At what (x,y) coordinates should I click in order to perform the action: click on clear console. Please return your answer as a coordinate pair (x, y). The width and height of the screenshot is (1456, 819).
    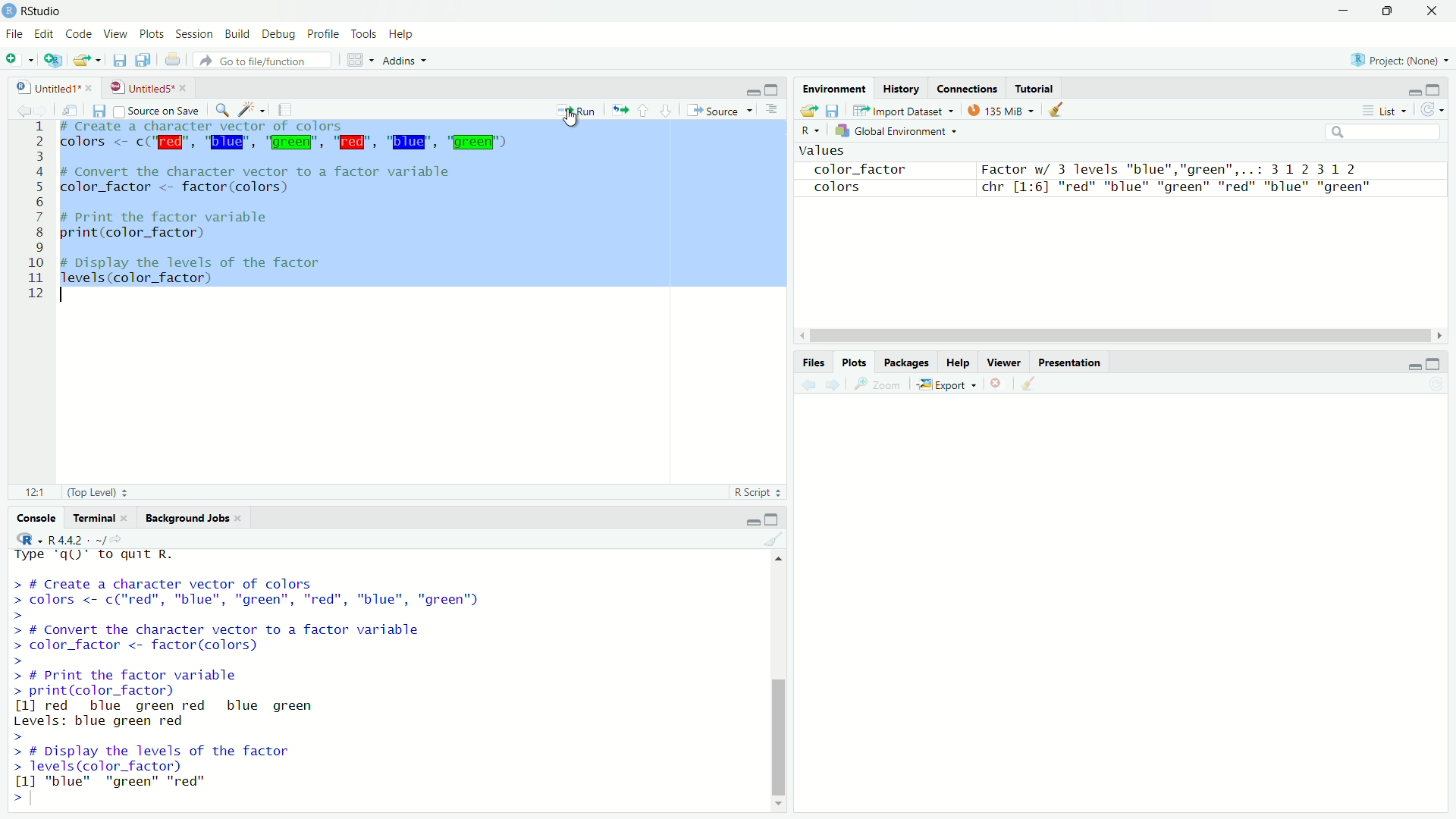
    Looking at the image, I should click on (773, 539).